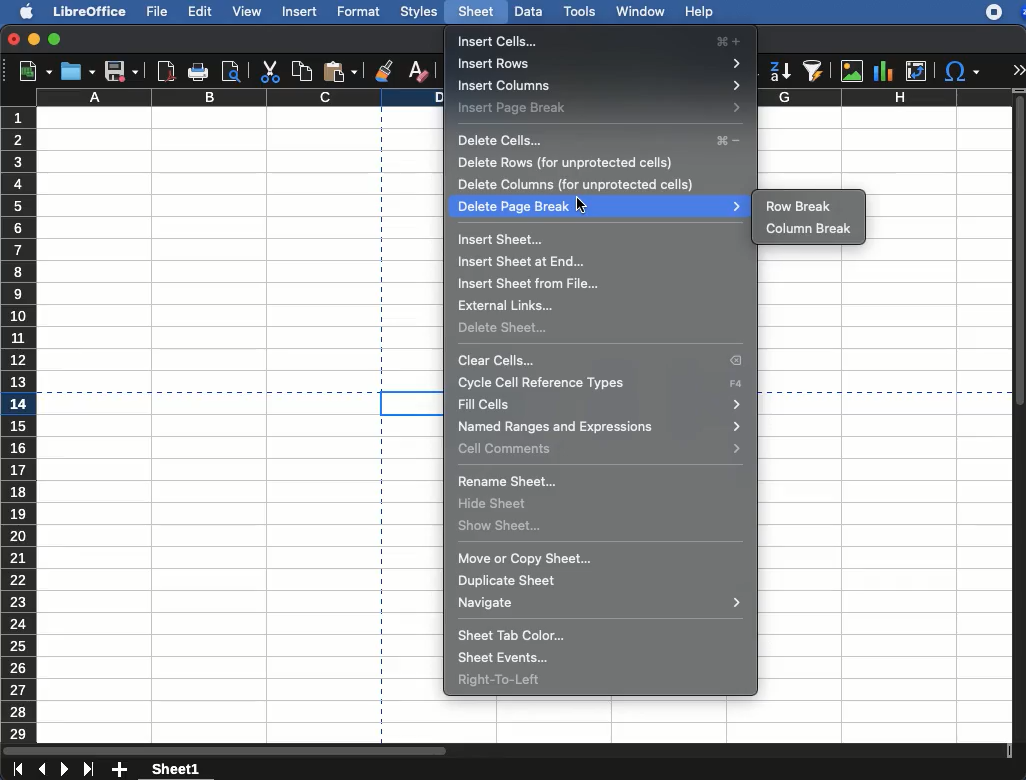 Image resolution: width=1026 pixels, height=780 pixels. What do you see at coordinates (852, 72) in the screenshot?
I see `image` at bounding box center [852, 72].